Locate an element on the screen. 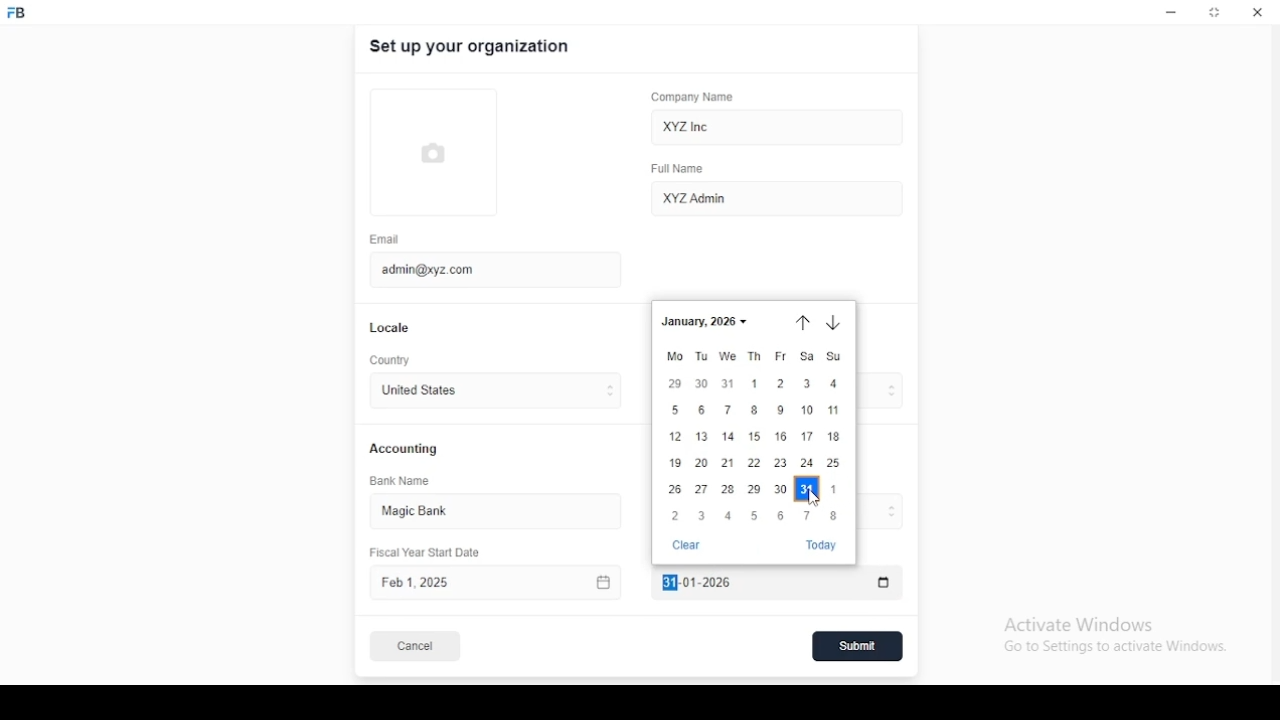 The image size is (1280, 720). 8 is located at coordinates (755, 411).